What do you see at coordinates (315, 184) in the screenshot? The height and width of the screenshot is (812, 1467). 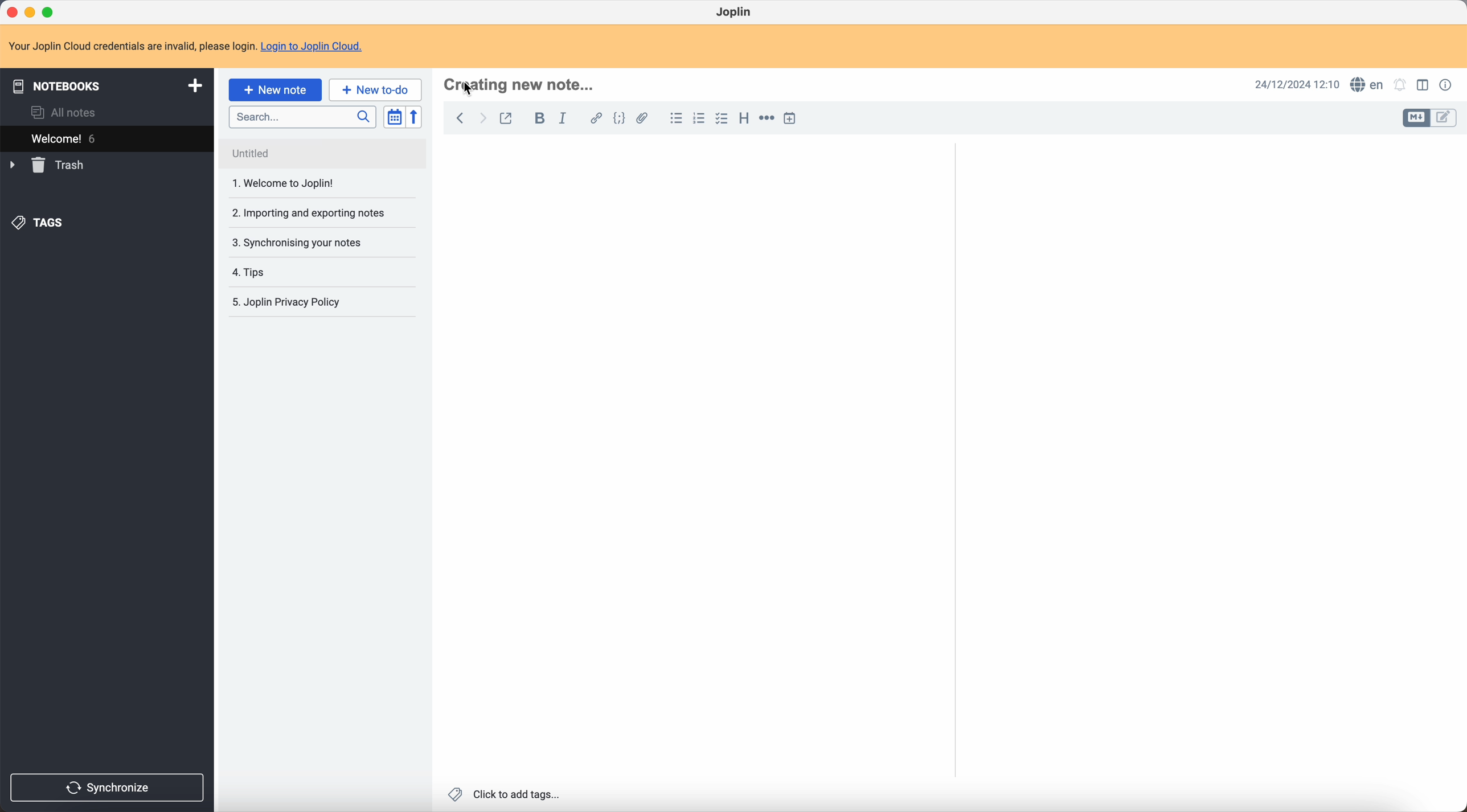 I see `1. Welcome to Joplin!` at bounding box center [315, 184].